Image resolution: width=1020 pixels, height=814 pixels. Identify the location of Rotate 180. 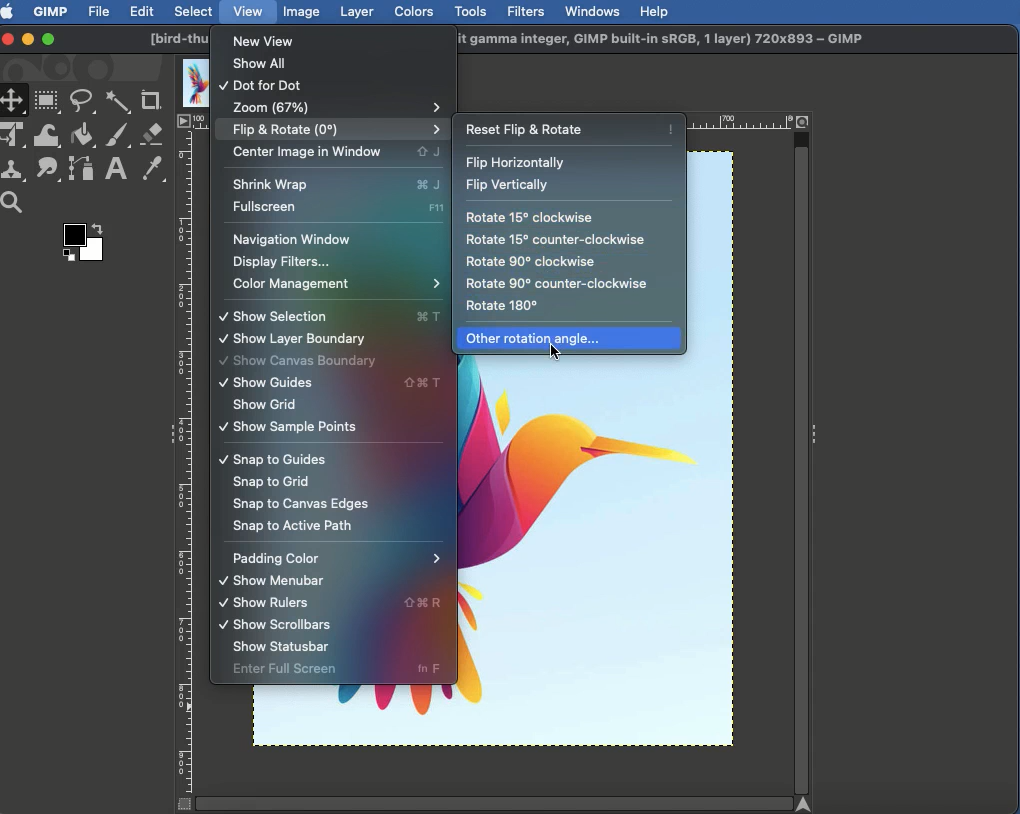
(504, 306).